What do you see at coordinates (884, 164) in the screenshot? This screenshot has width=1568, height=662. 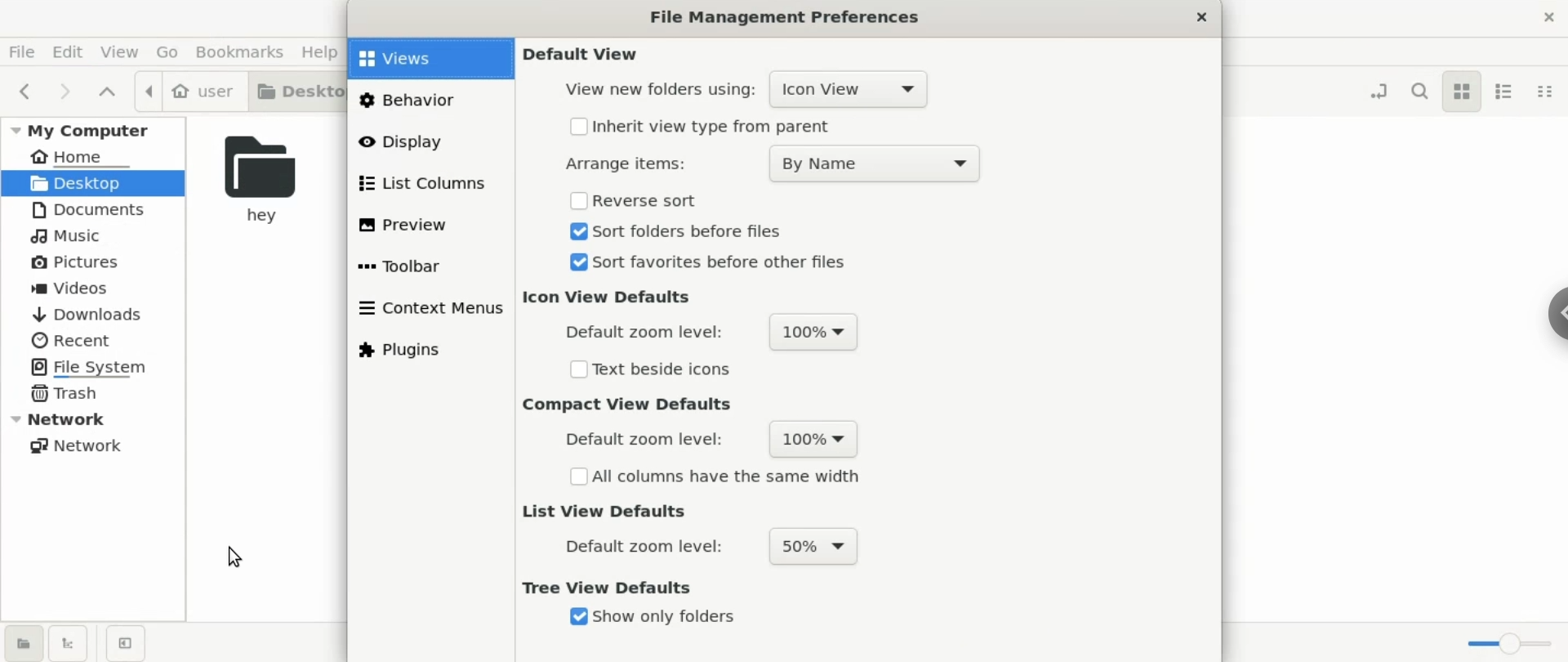 I see `By Name` at bounding box center [884, 164].